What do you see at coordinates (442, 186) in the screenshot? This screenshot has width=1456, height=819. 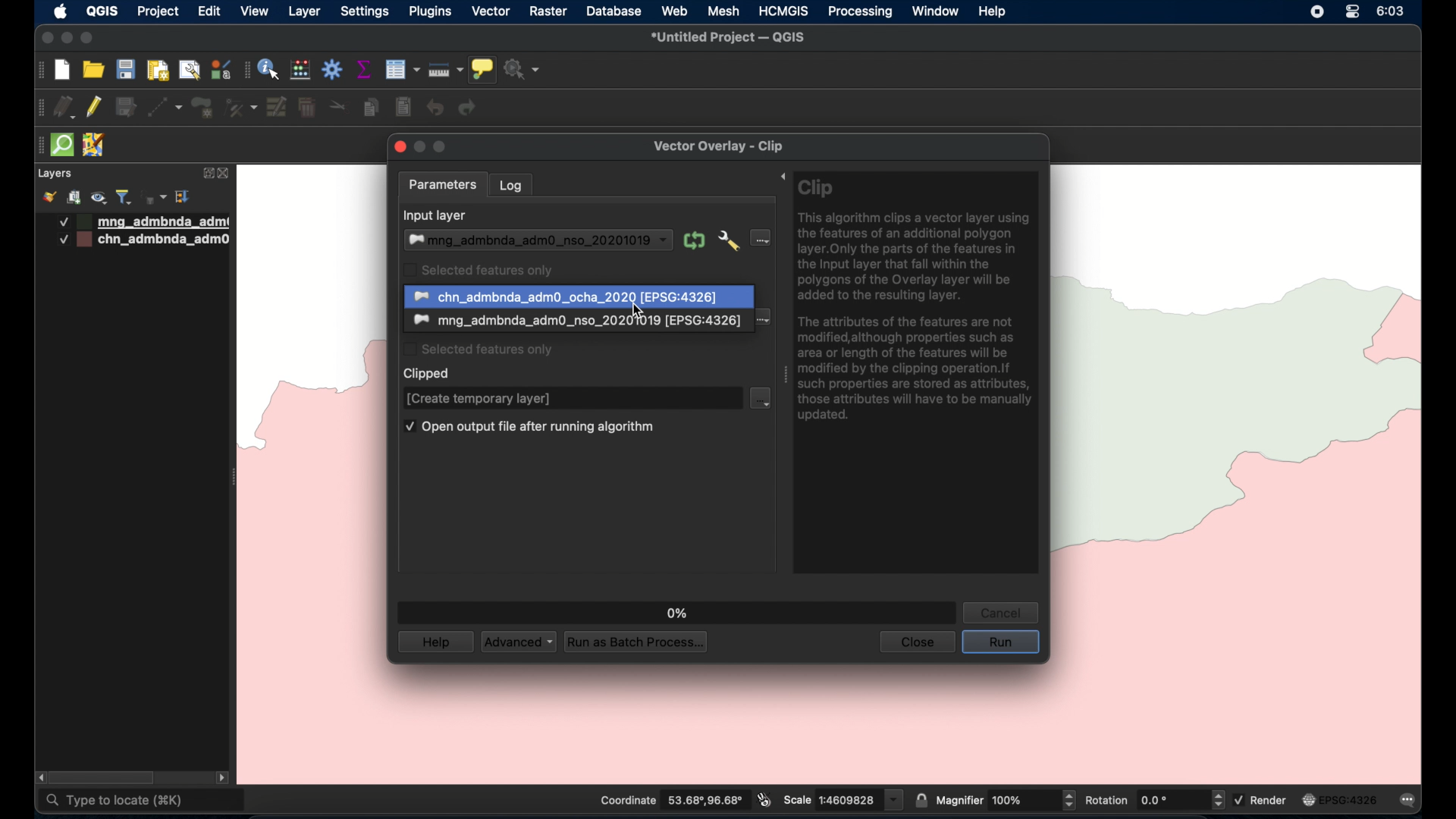 I see `parameters` at bounding box center [442, 186].